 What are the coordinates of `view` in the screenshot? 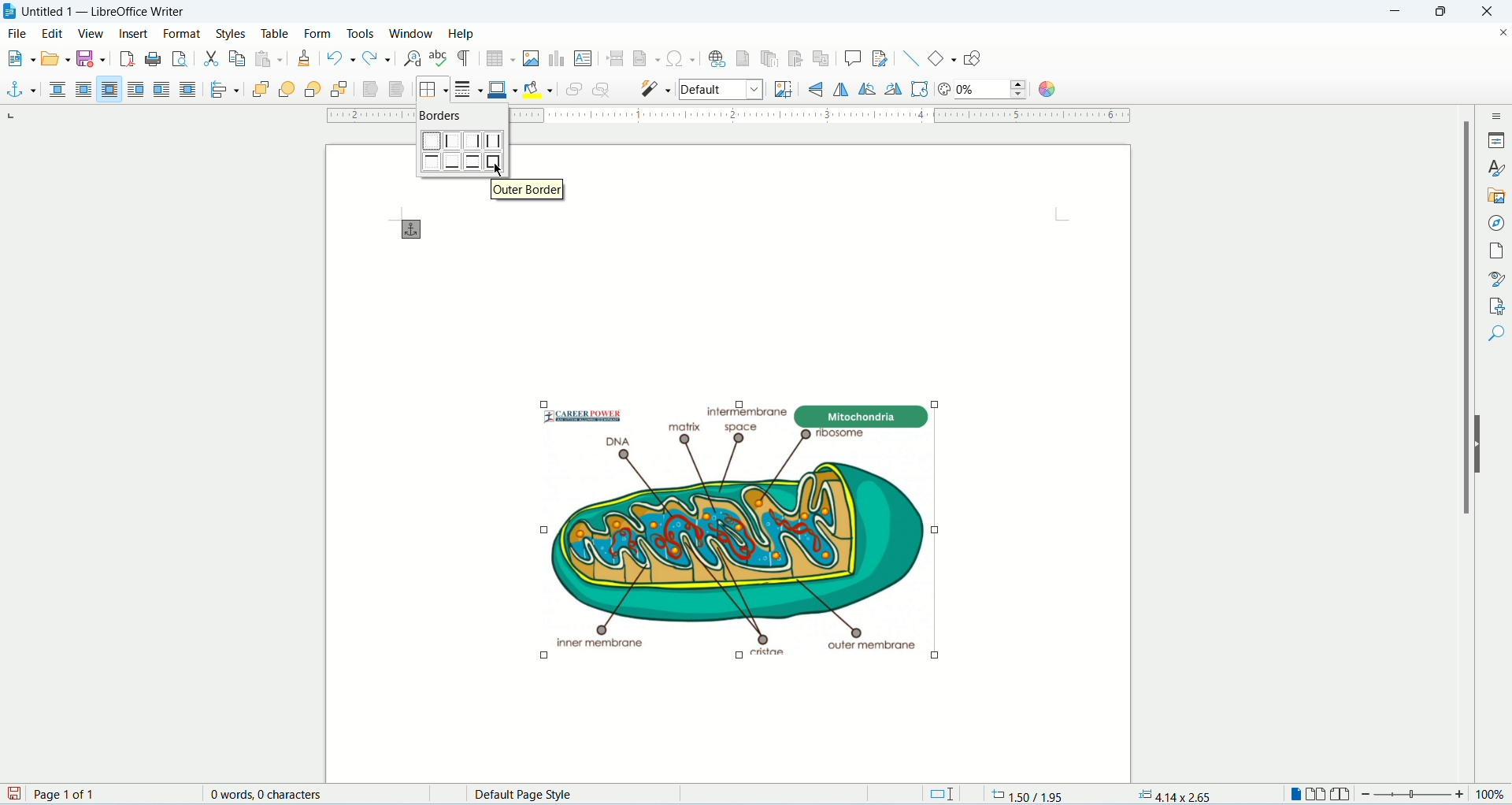 It's located at (91, 35).